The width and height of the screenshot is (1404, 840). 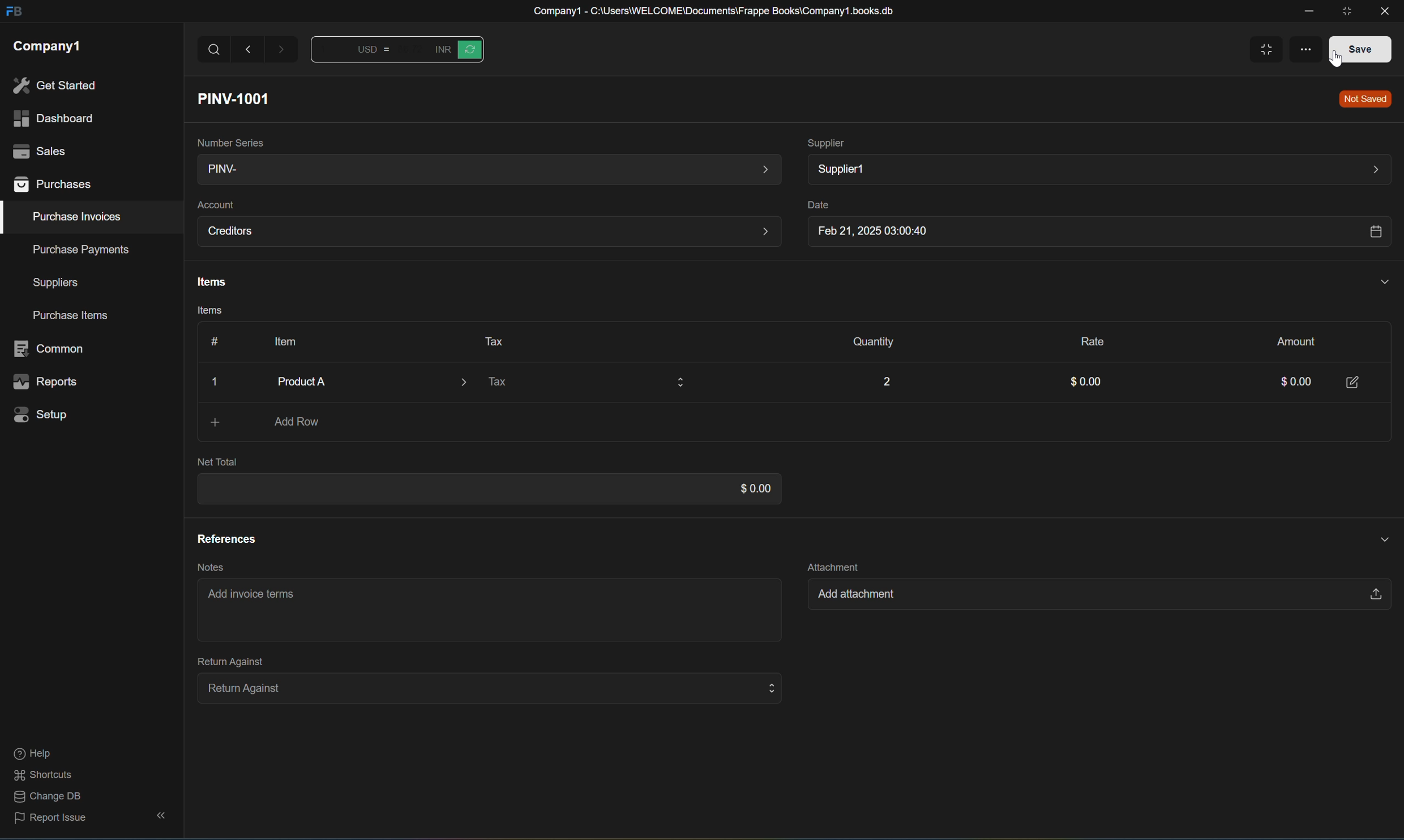 I want to click on Add, so click(x=207, y=422).